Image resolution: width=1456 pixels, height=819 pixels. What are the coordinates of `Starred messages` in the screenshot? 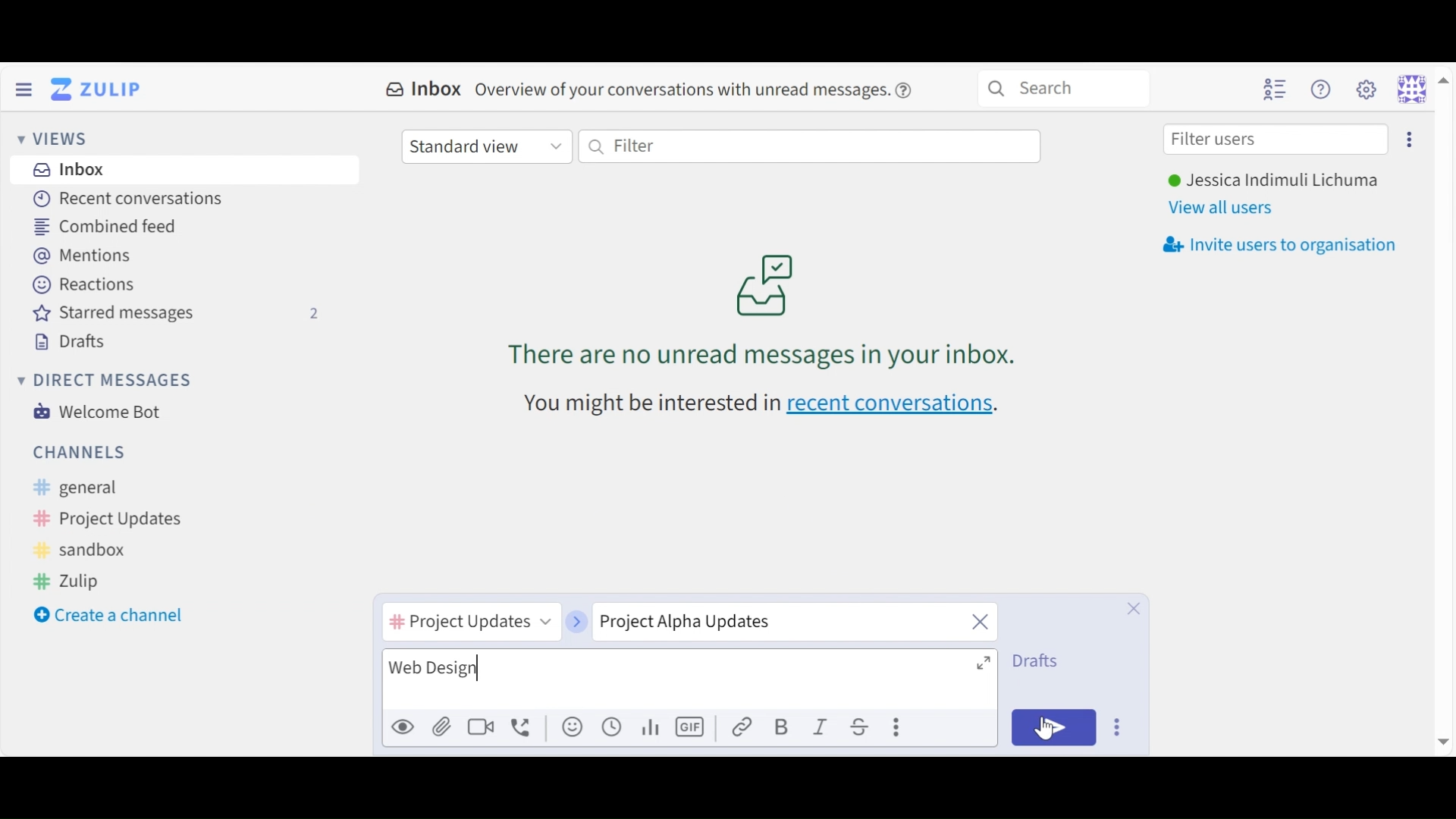 It's located at (176, 313).